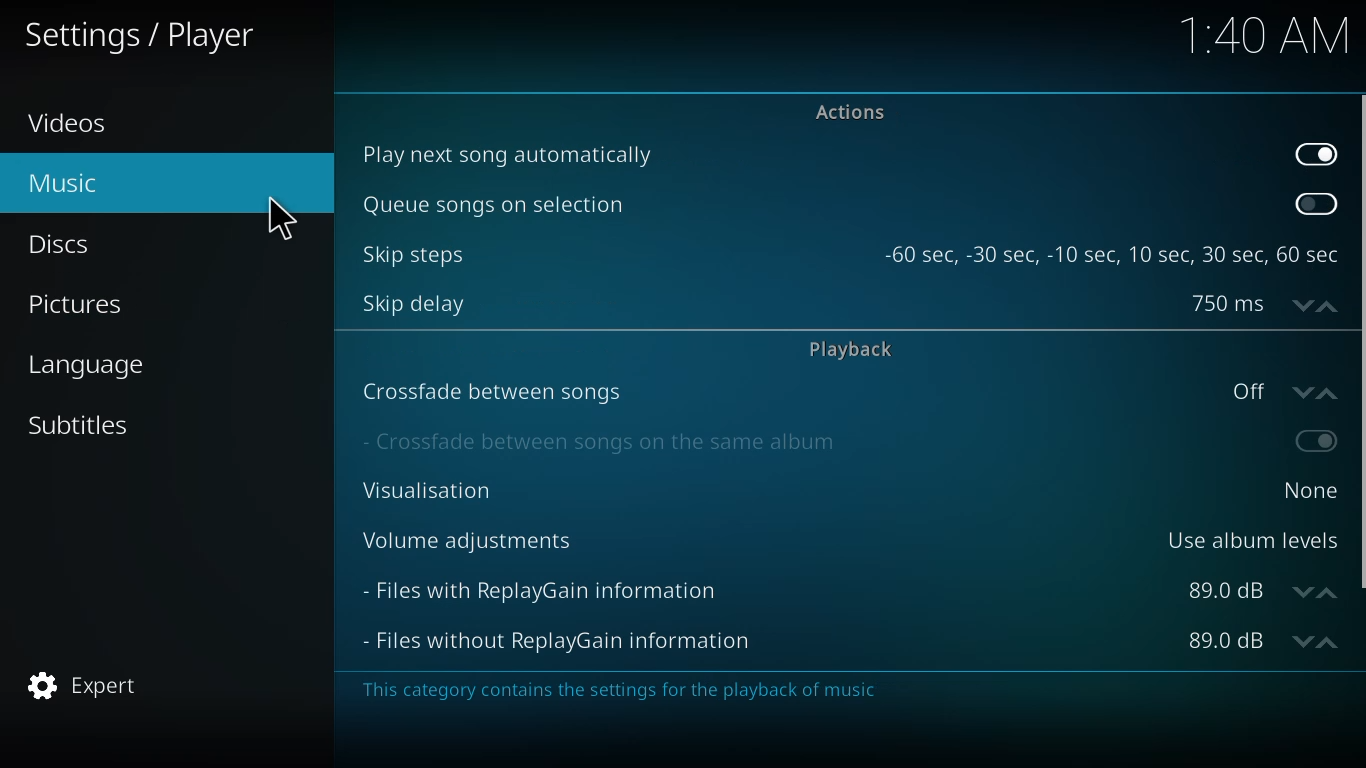  Describe the element at coordinates (95, 365) in the screenshot. I see `language` at that location.